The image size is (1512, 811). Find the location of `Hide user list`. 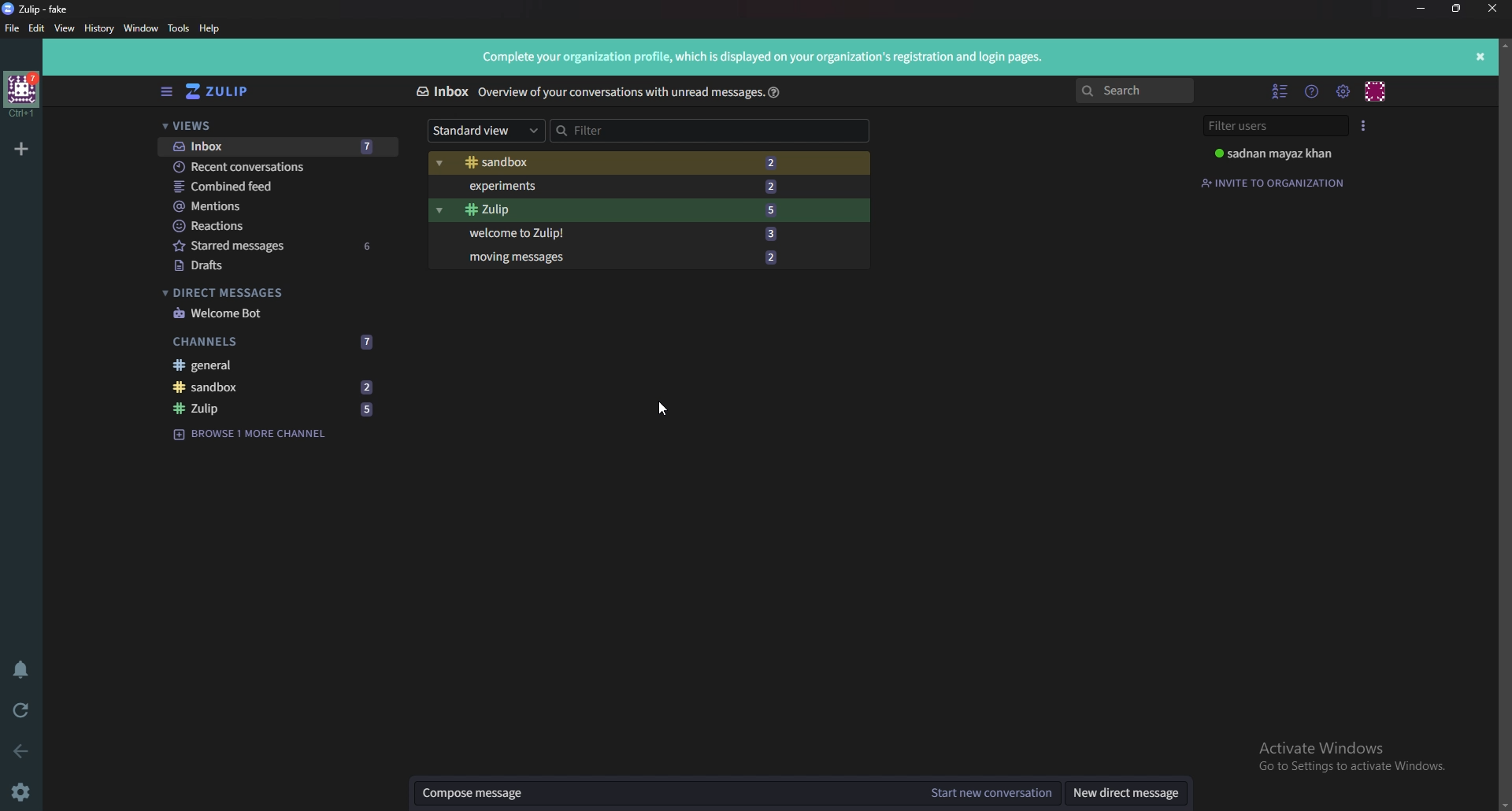

Hide user list is located at coordinates (1280, 92).